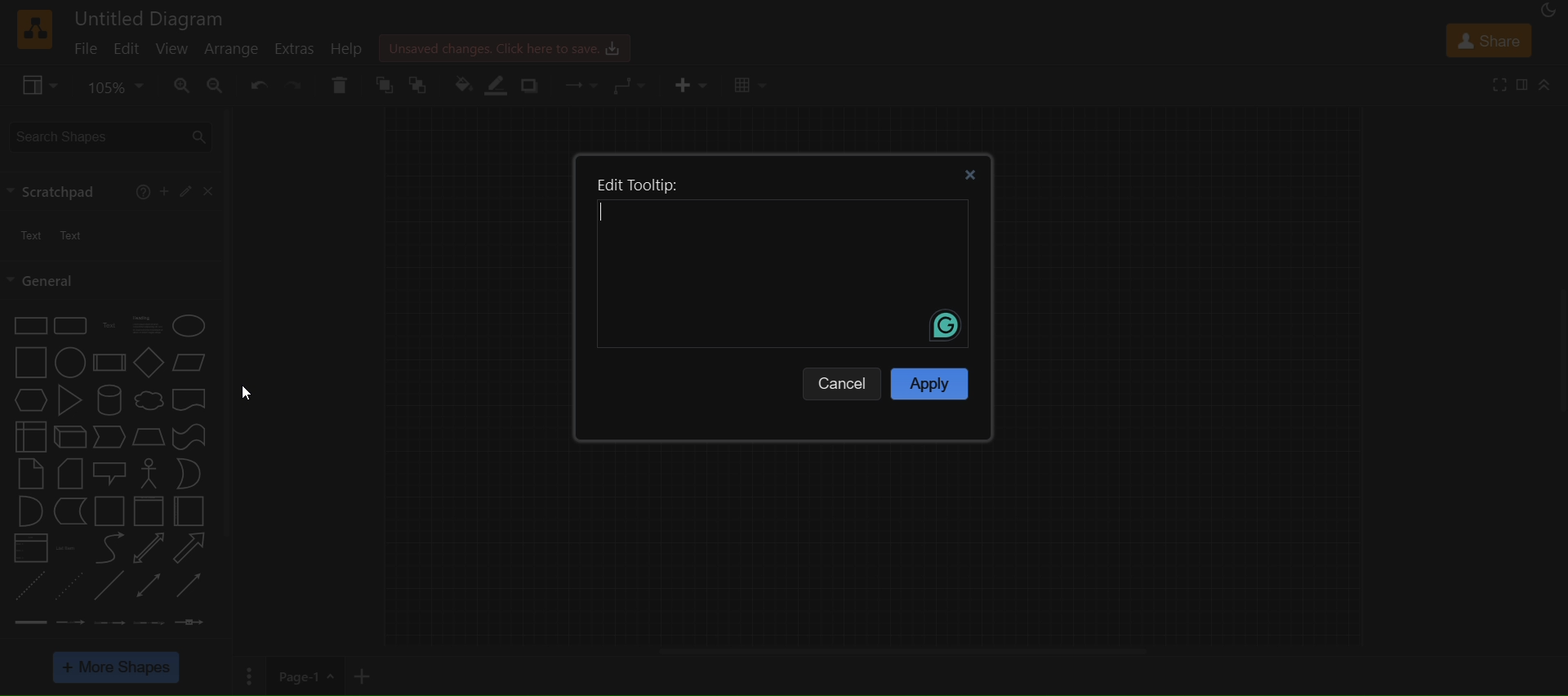 The width and height of the screenshot is (1568, 696). I want to click on bidirectional arrow, so click(150, 549).